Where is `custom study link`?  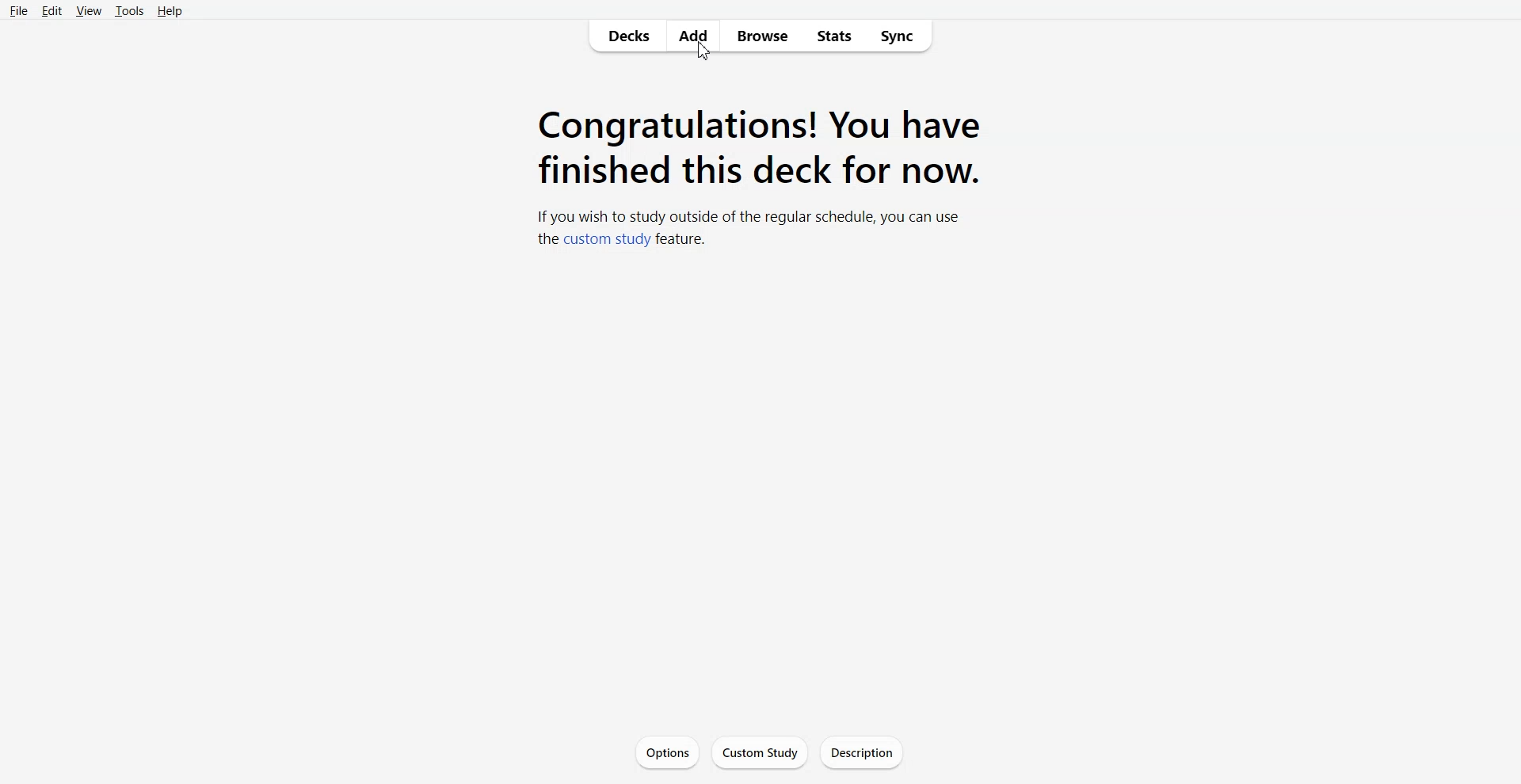 custom study link is located at coordinates (608, 239).